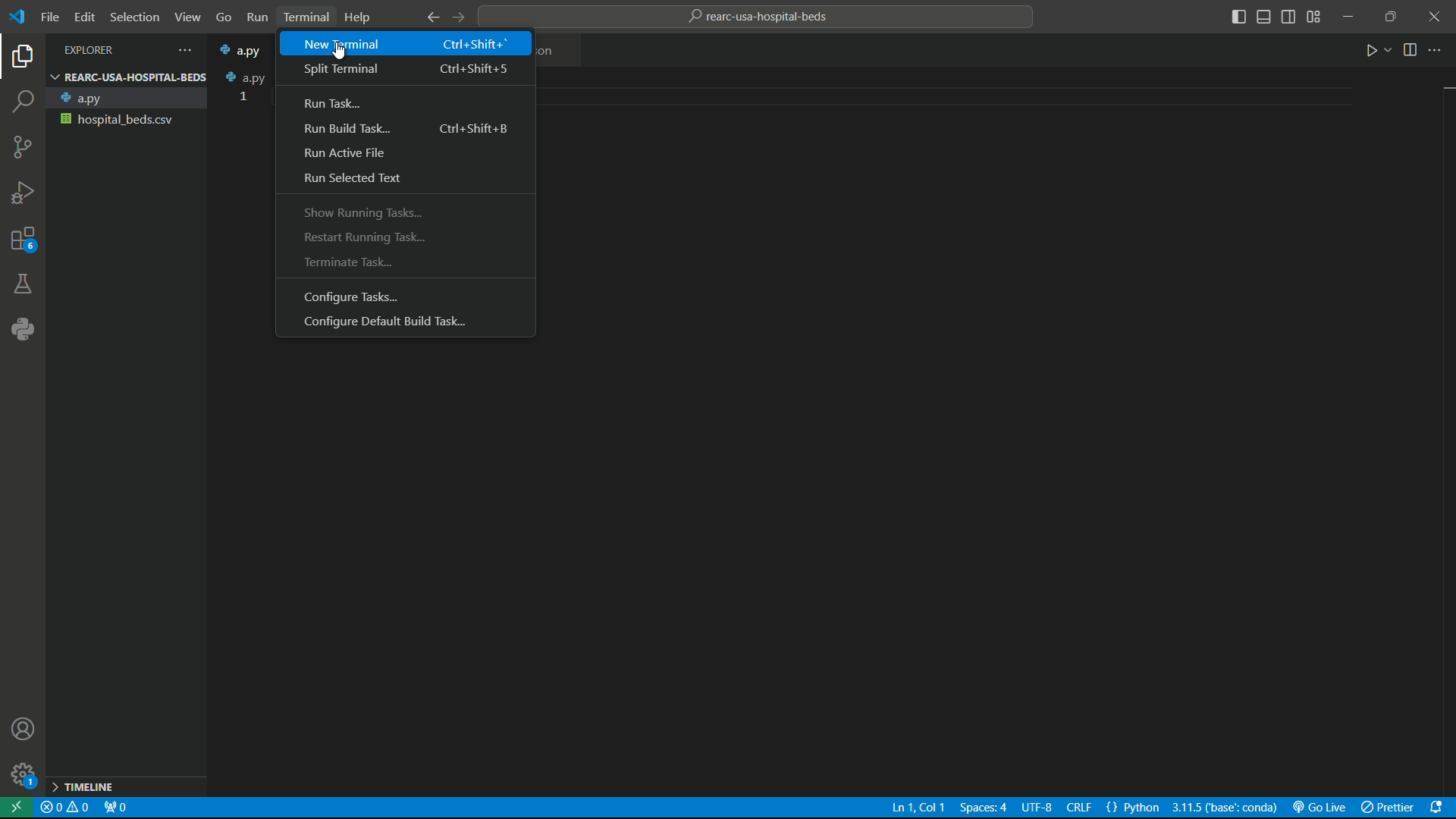 The width and height of the screenshot is (1456, 819). What do you see at coordinates (244, 50) in the screenshot?
I see `a.py` at bounding box center [244, 50].